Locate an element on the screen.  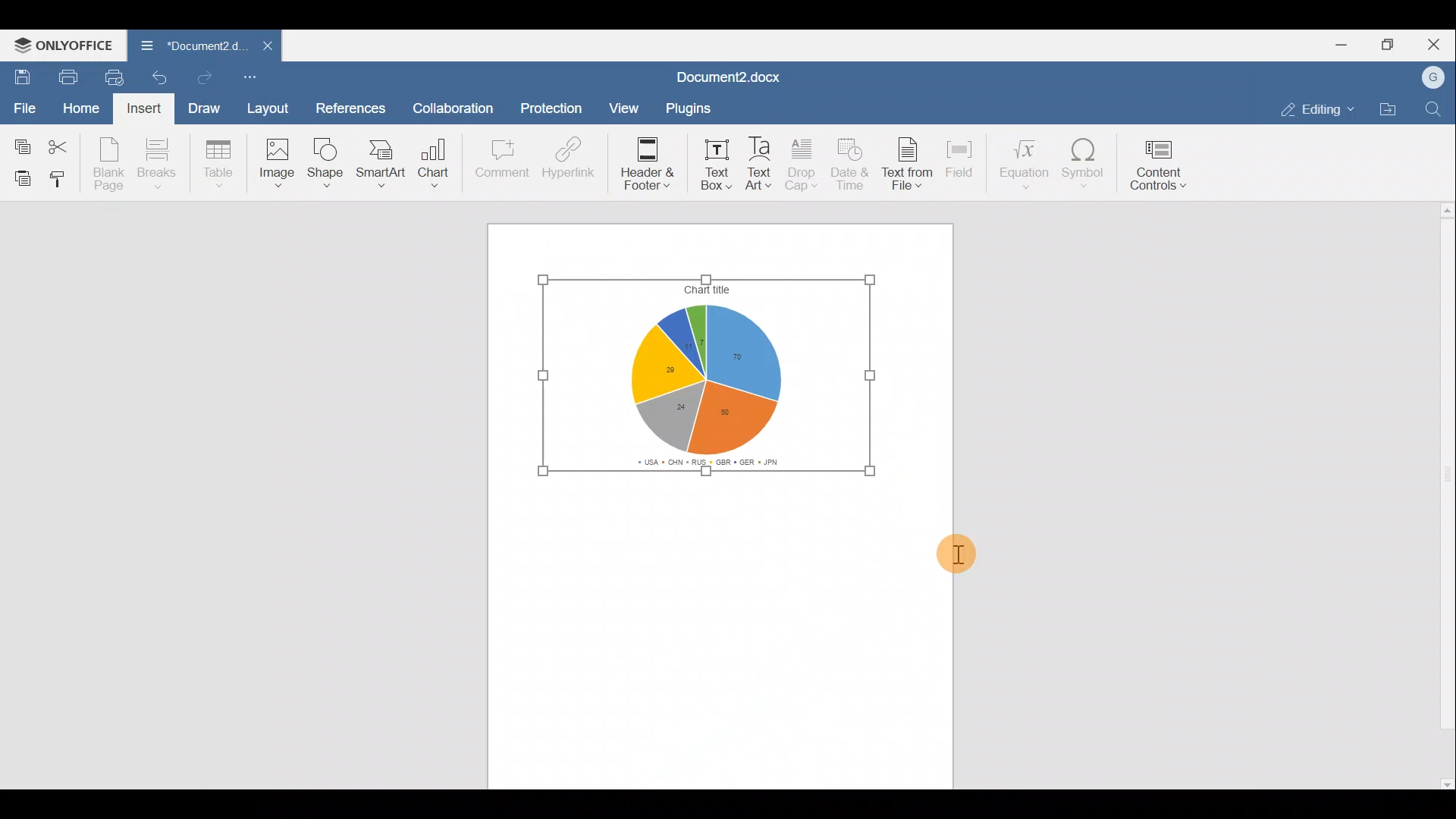
Equation is located at coordinates (1023, 162).